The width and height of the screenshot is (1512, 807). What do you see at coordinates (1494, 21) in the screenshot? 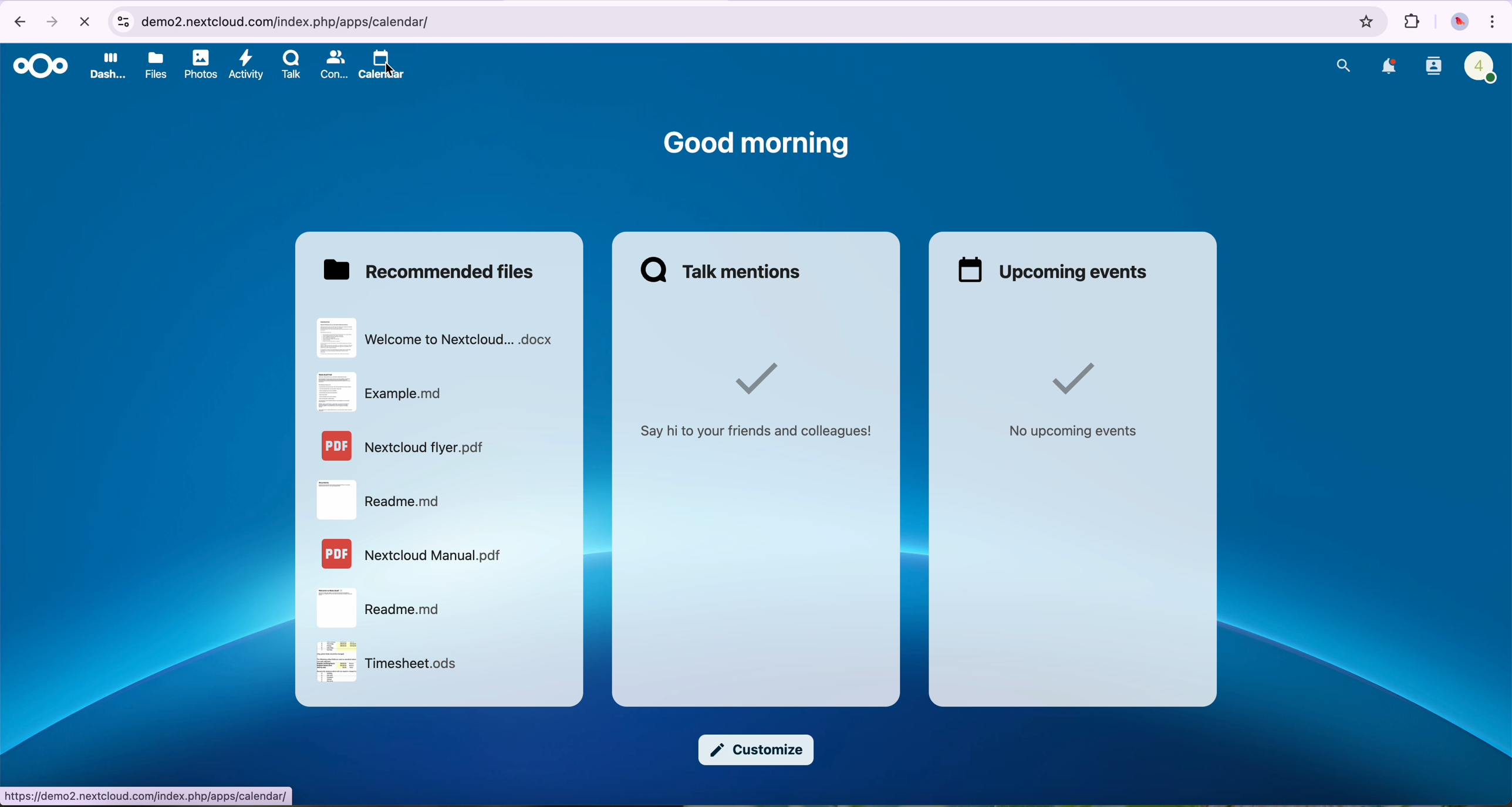
I see `customize and control Google Chrome` at bounding box center [1494, 21].